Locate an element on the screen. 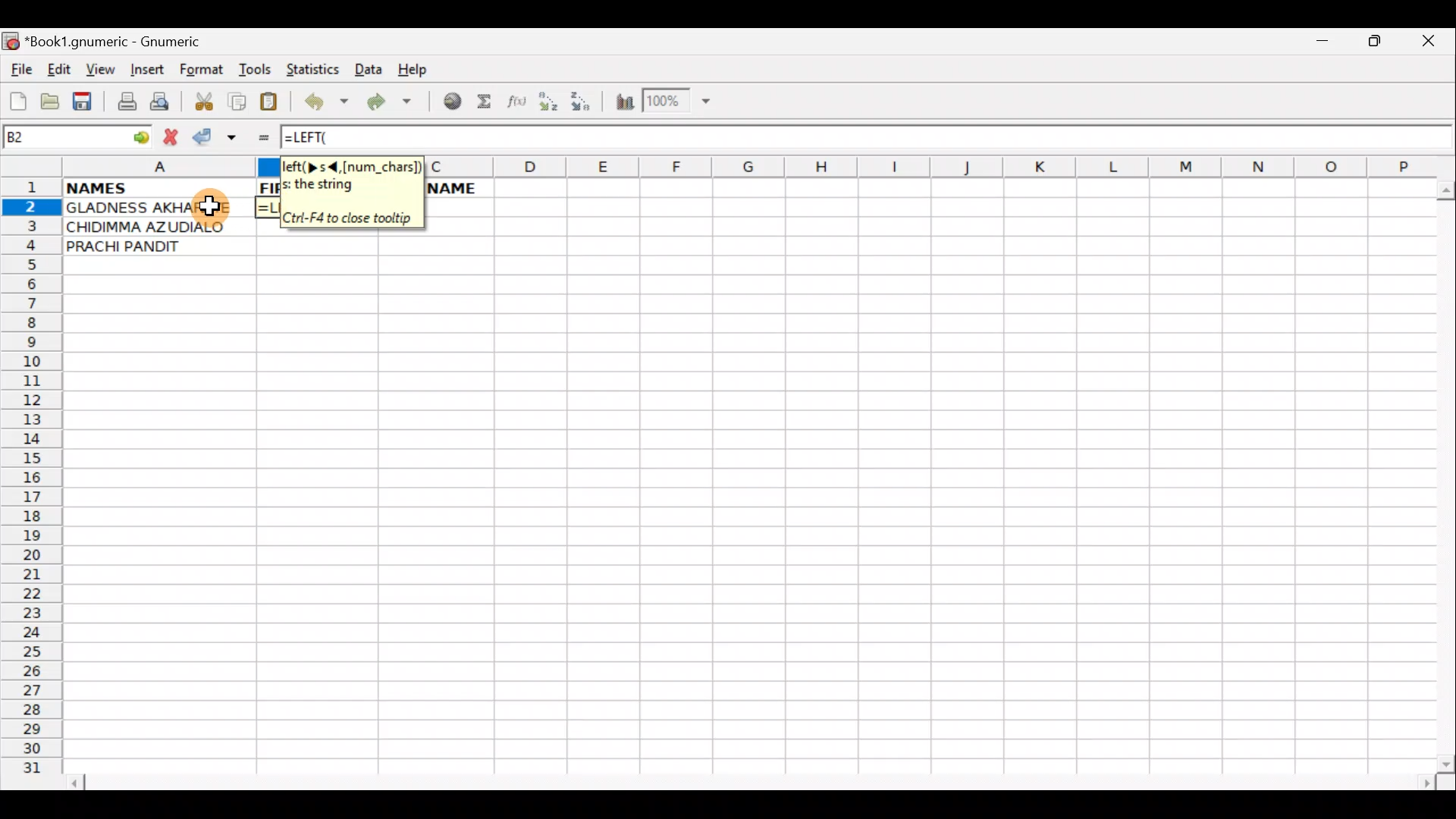 The height and width of the screenshot is (819, 1456). Open a file is located at coordinates (53, 99).